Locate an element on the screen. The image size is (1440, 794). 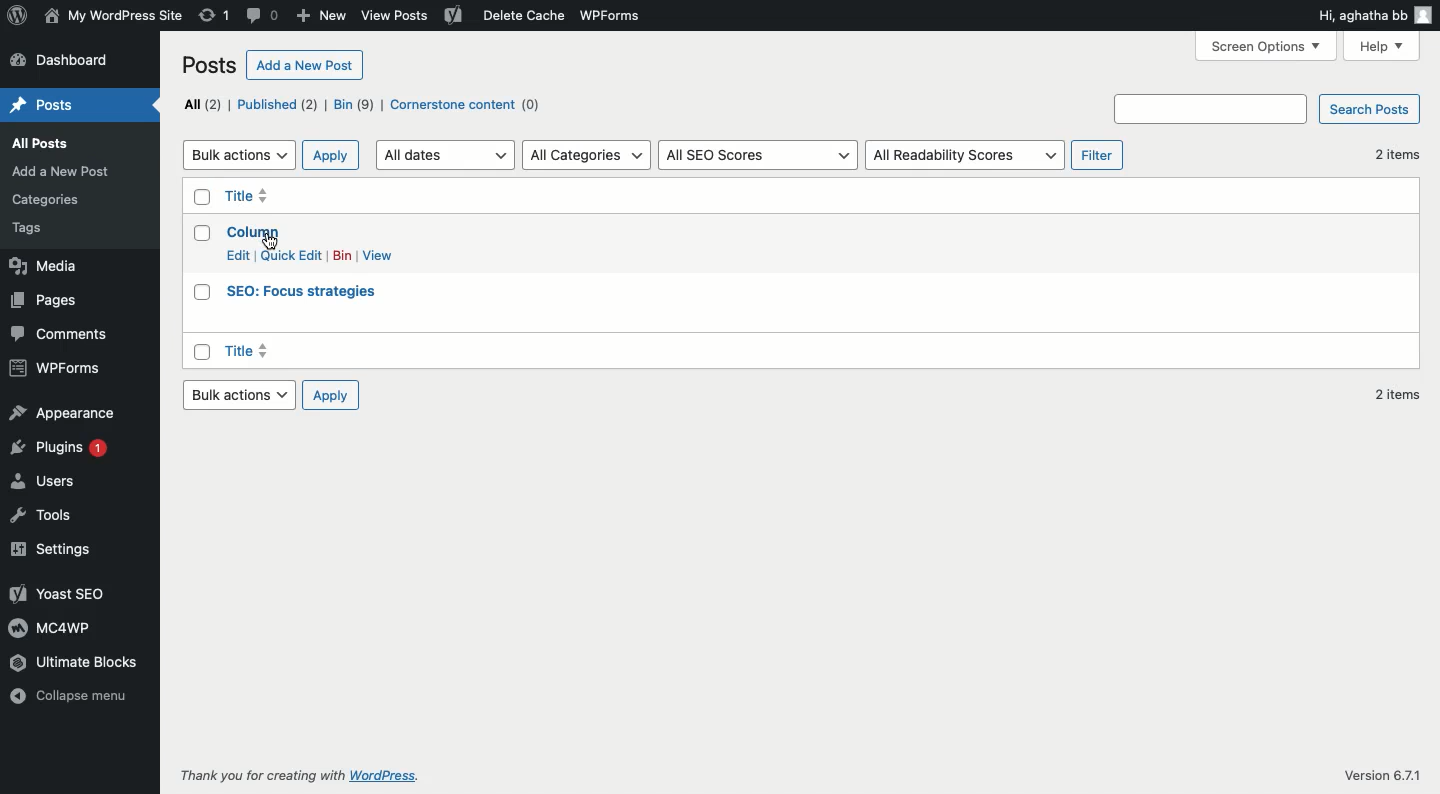
Bulk actions is located at coordinates (239, 153).